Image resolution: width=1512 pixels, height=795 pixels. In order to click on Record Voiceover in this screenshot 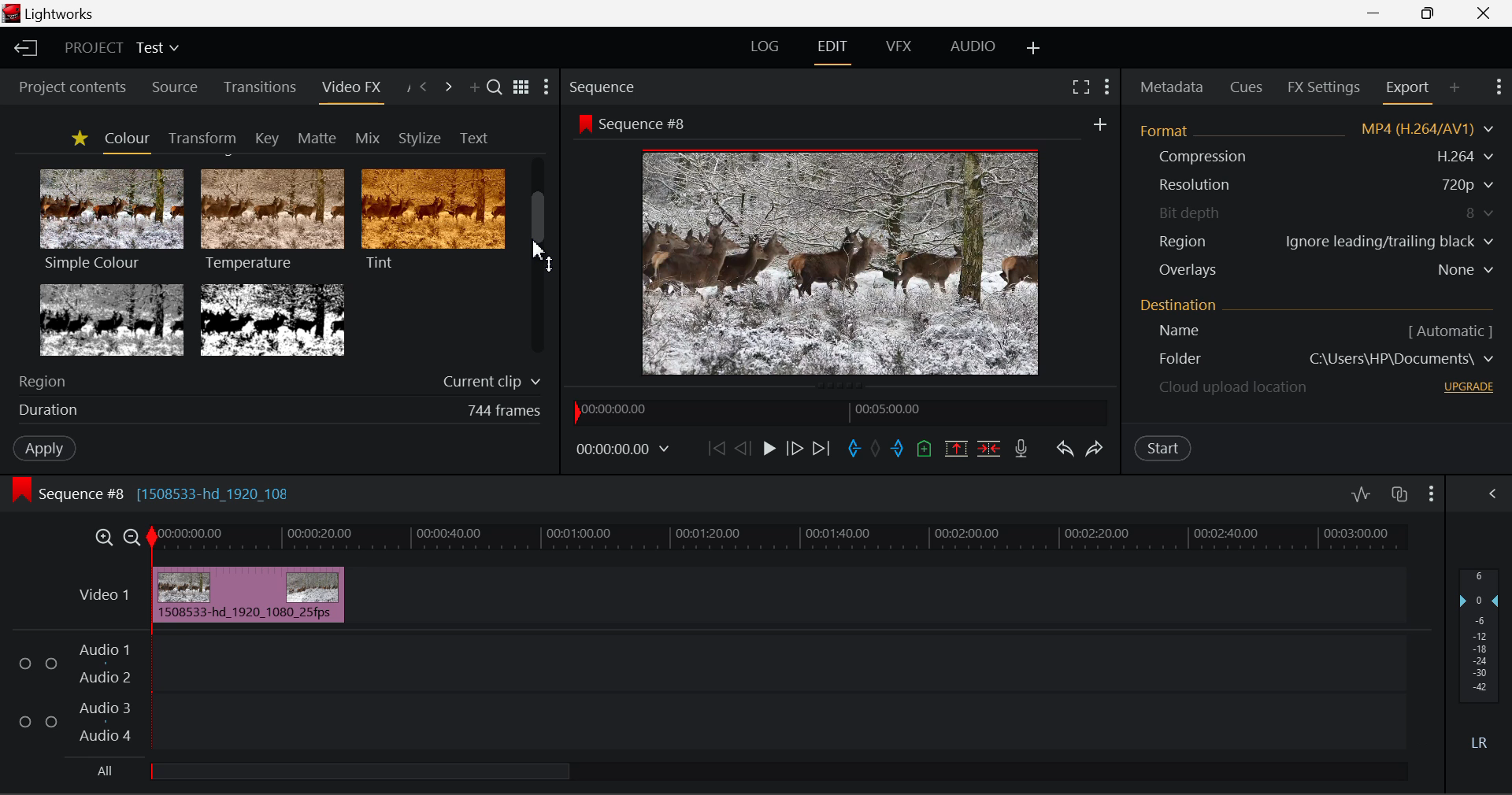, I will do `click(1021, 447)`.